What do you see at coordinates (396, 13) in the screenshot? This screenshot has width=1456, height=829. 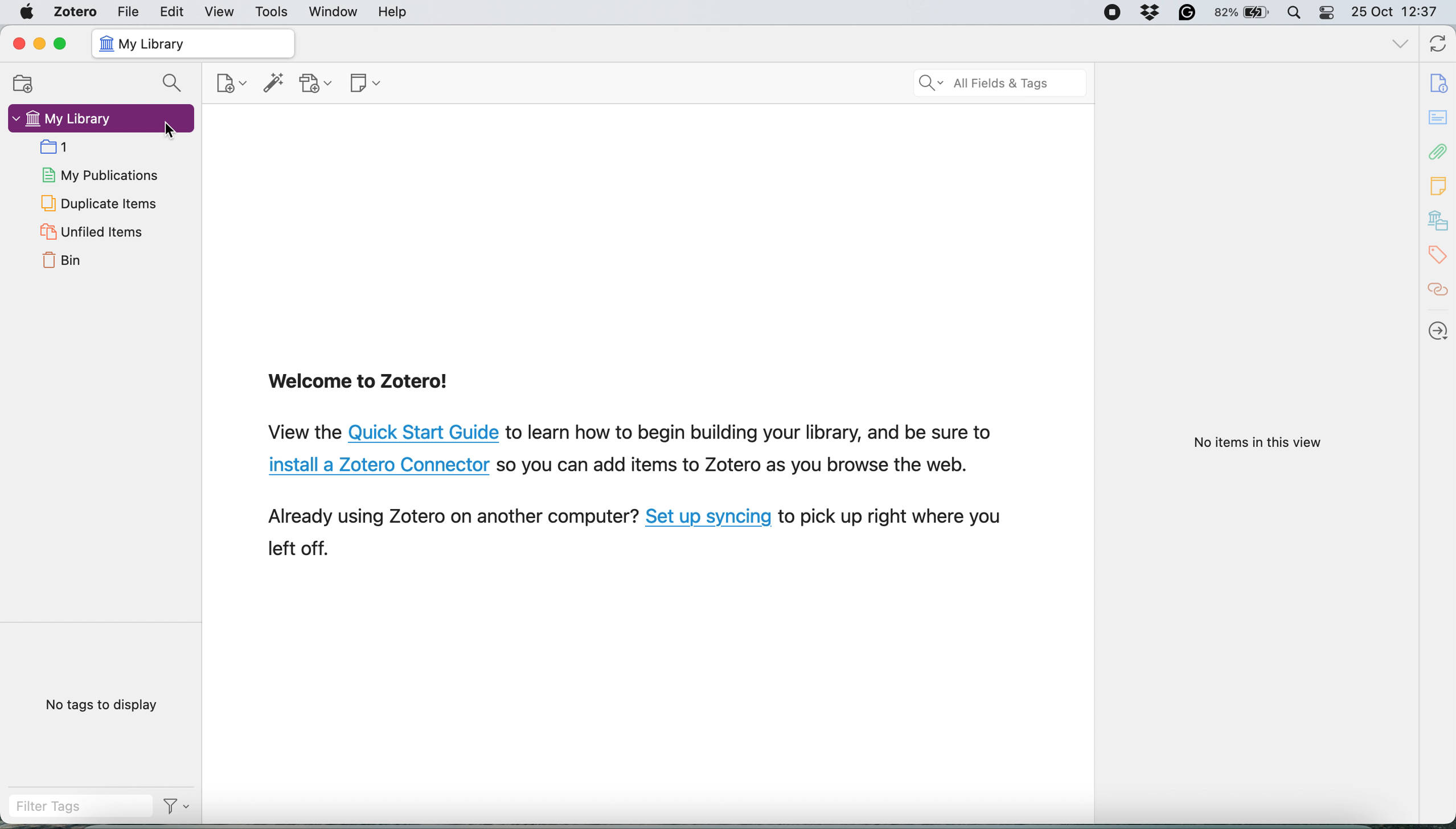 I see `help` at bounding box center [396, 13].